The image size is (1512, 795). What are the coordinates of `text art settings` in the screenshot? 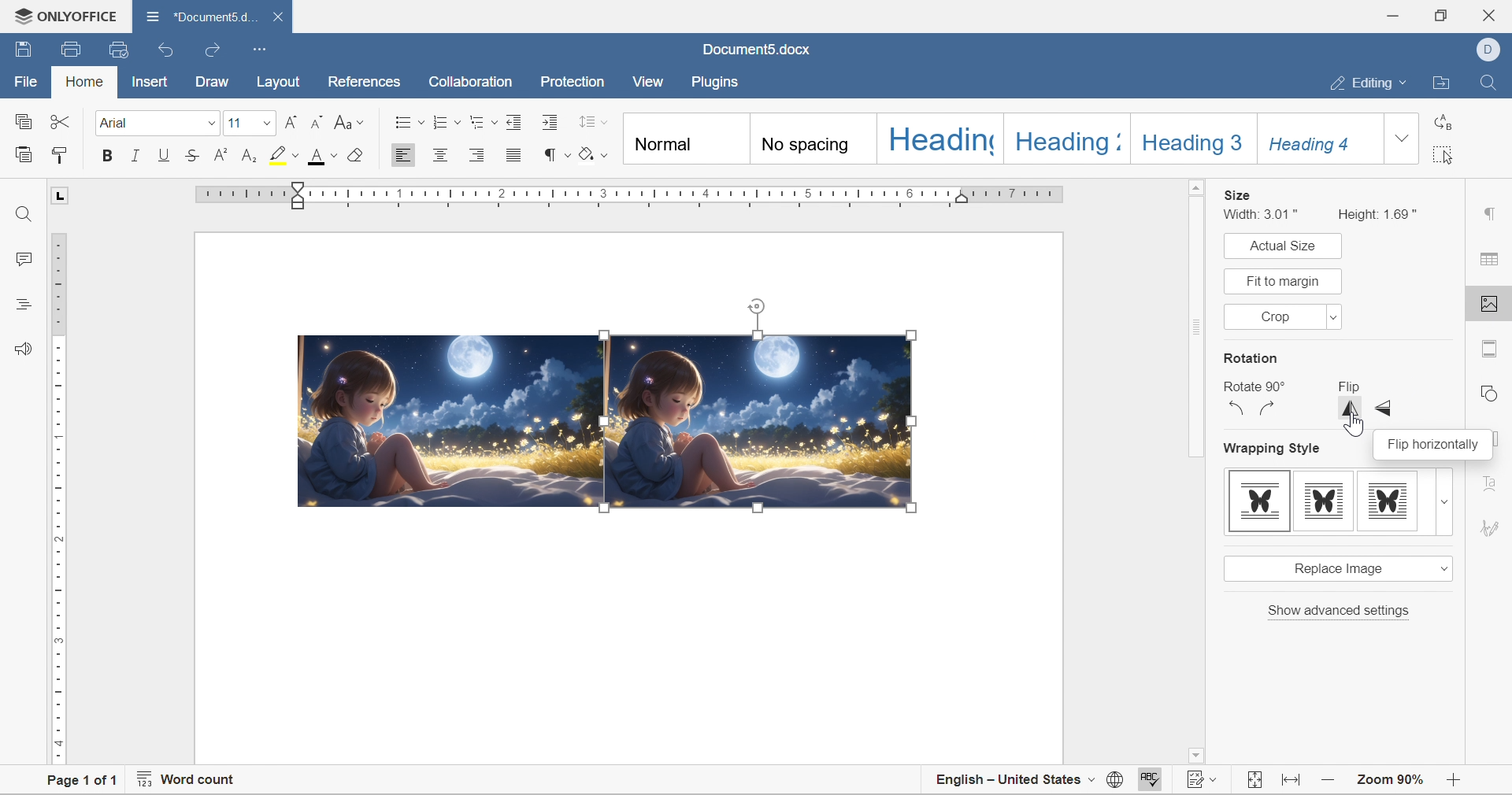 It's located at (1492, 478).